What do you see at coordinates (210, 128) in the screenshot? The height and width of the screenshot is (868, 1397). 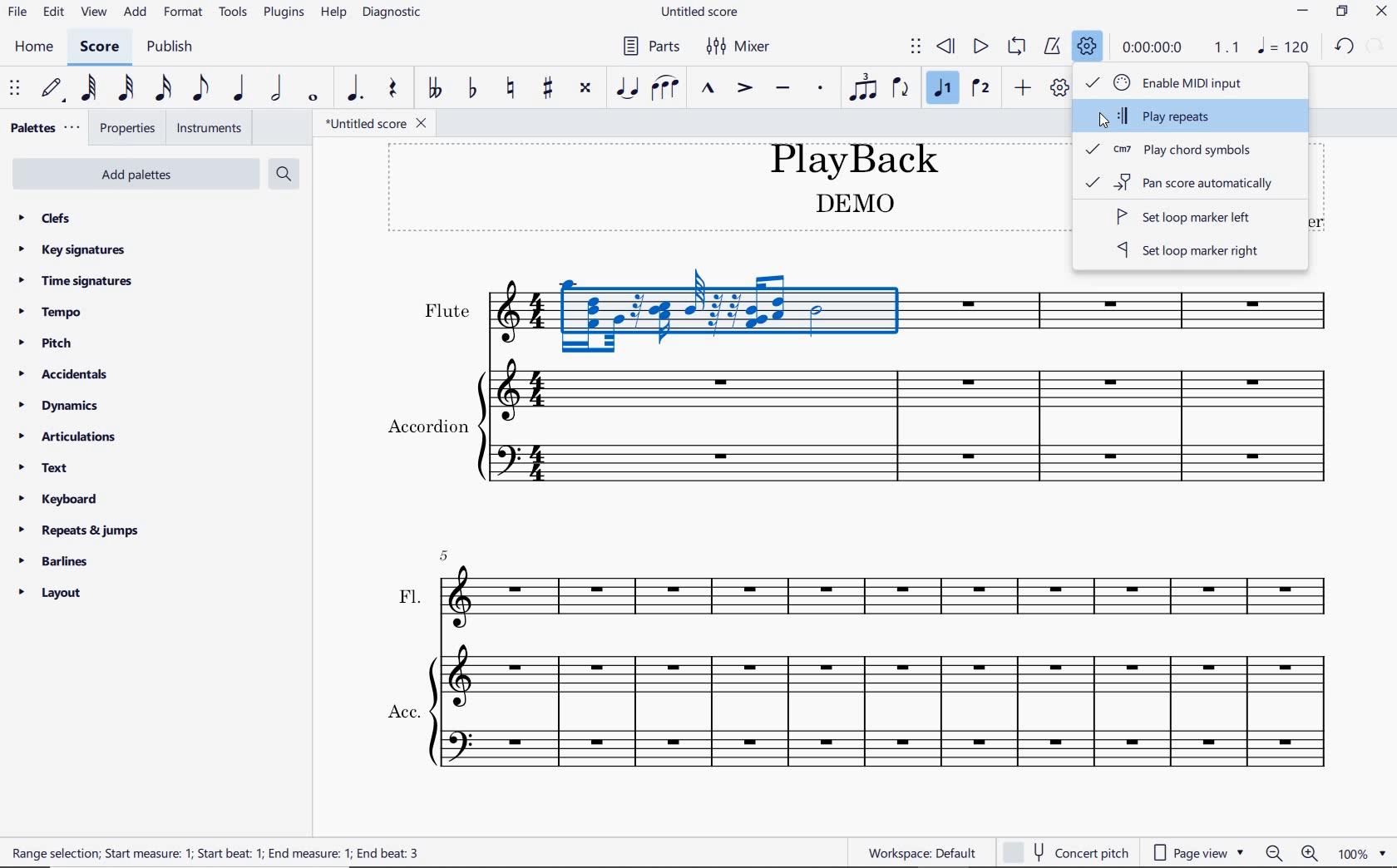 I see `instruments` at bounding box center [210, 128].